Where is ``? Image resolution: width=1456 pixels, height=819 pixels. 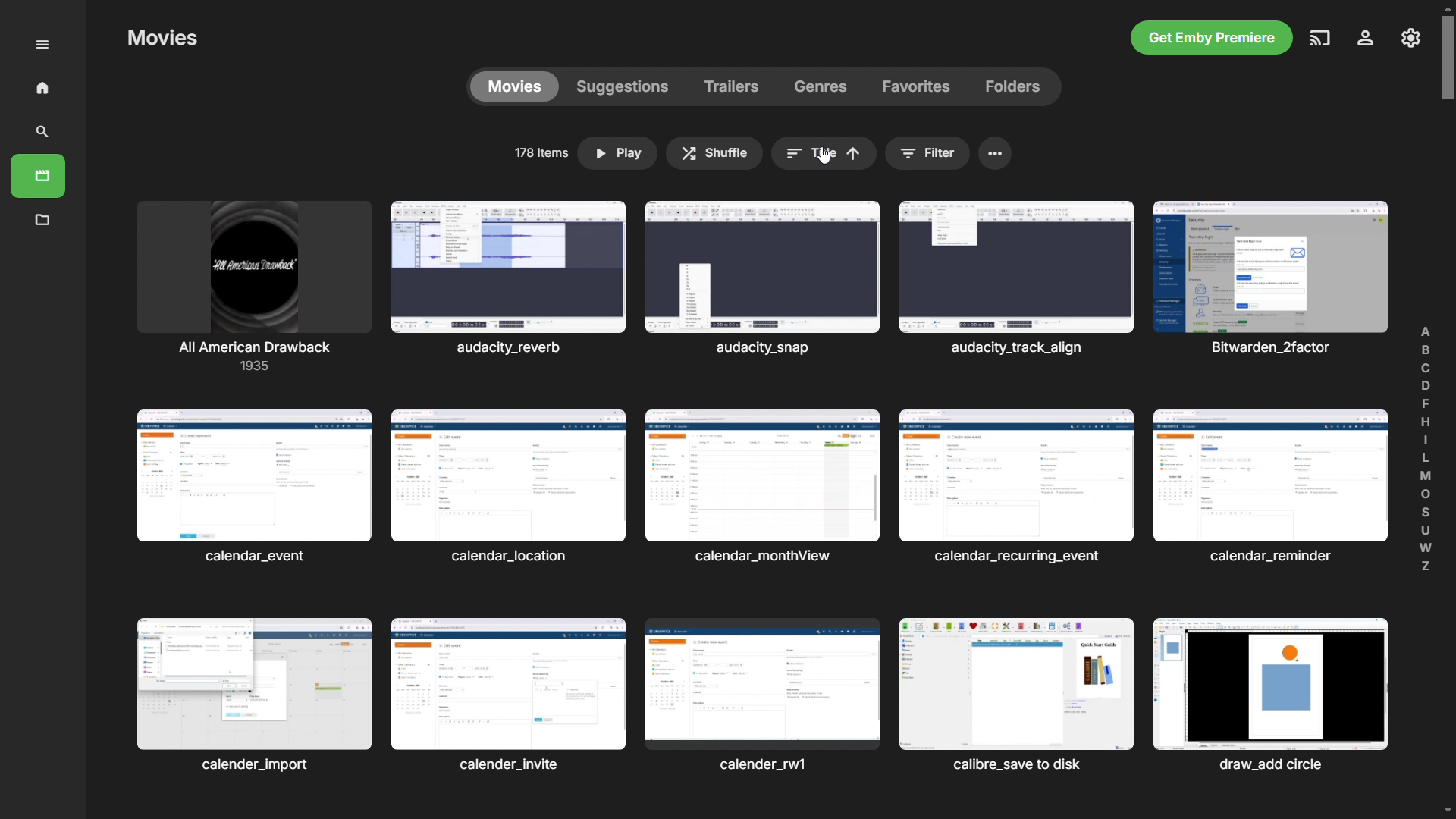
 is located at coordinates (767, 695).